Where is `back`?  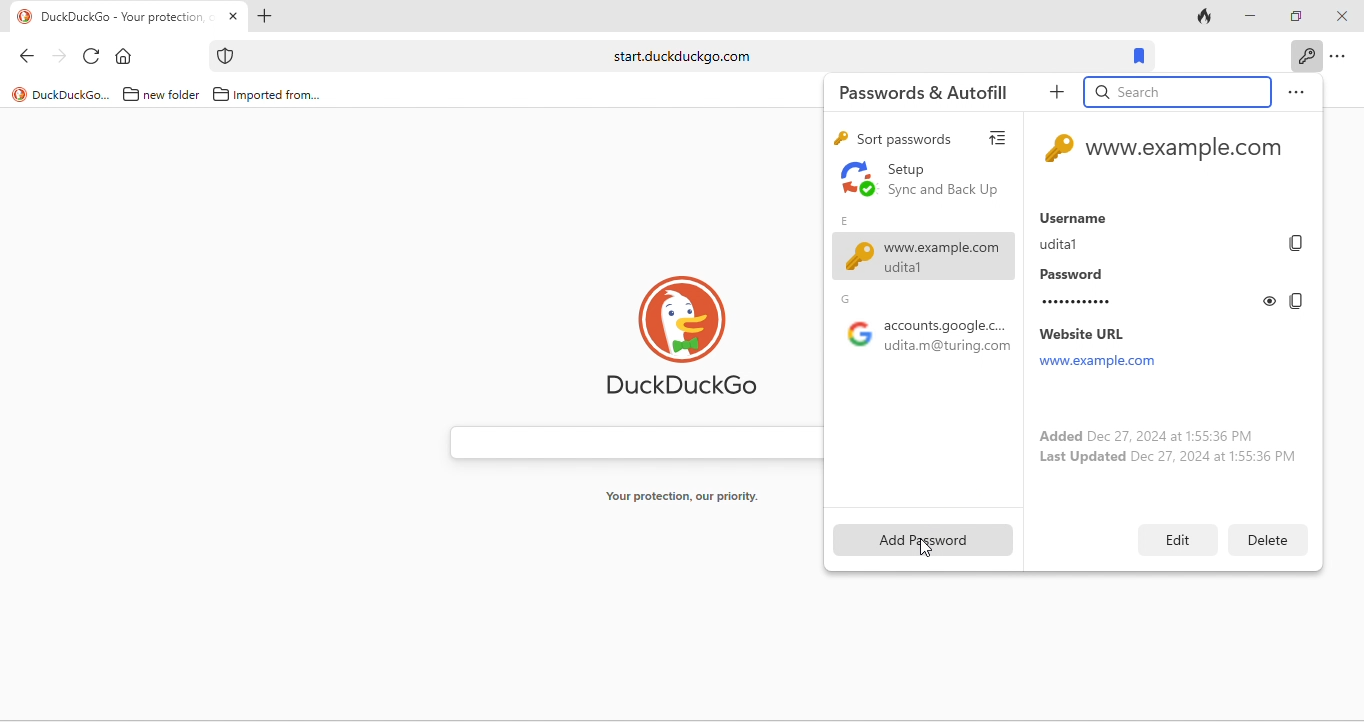 back is located at coordinates (26, 57).